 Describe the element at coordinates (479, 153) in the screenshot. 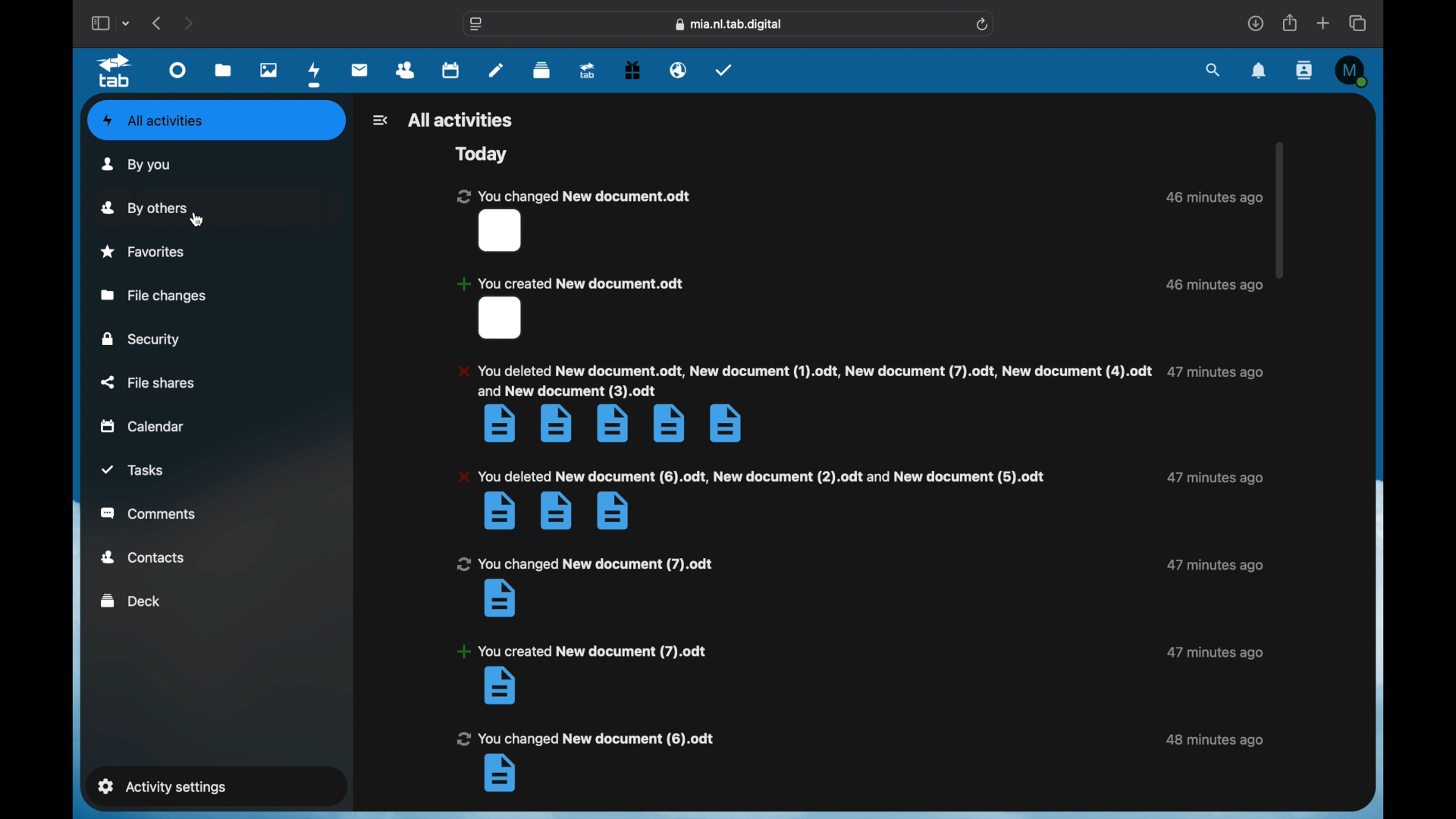

I see `today` at that location.